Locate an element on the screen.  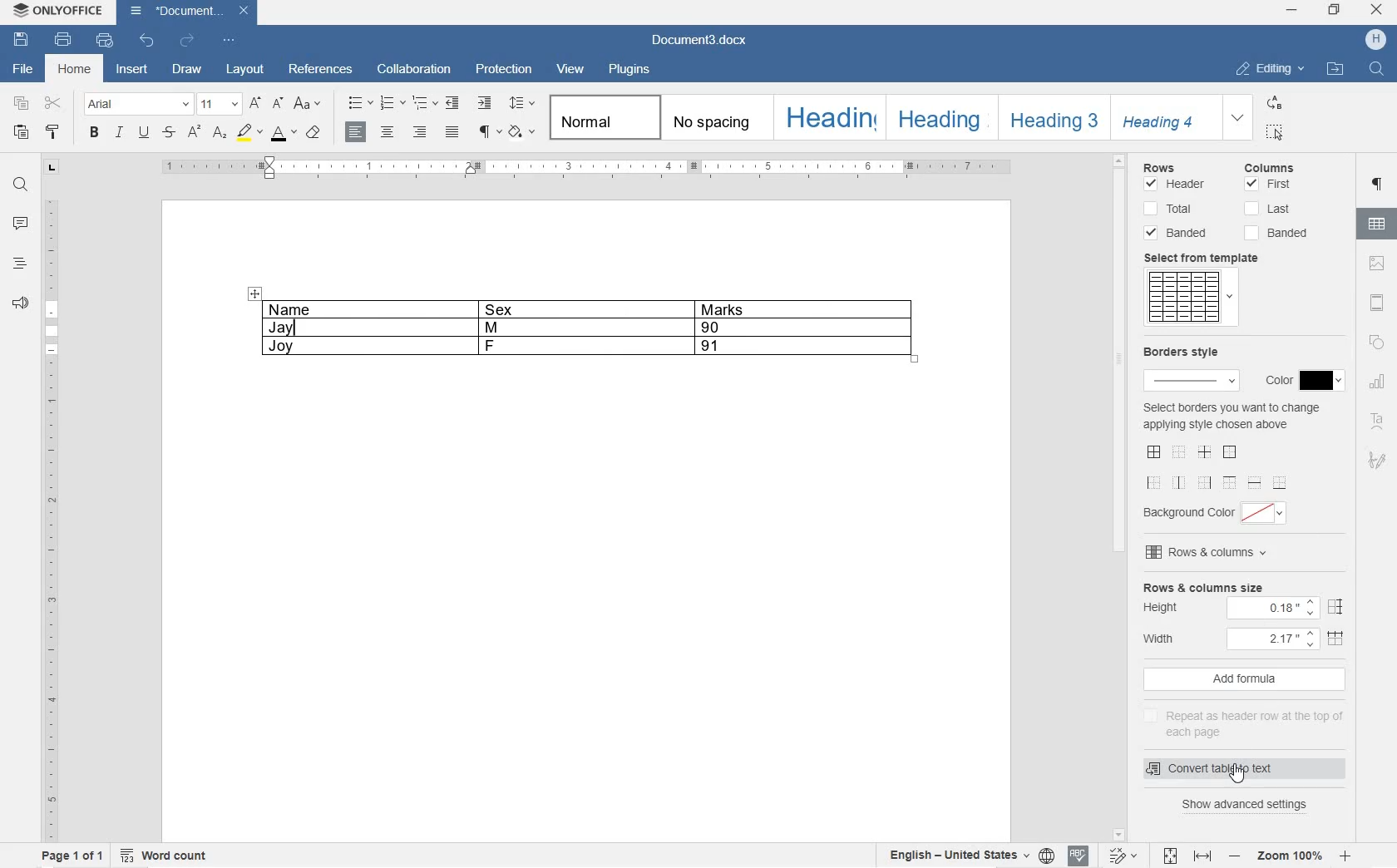
ALIGN RIGHT is located at coordinates (421, 131).